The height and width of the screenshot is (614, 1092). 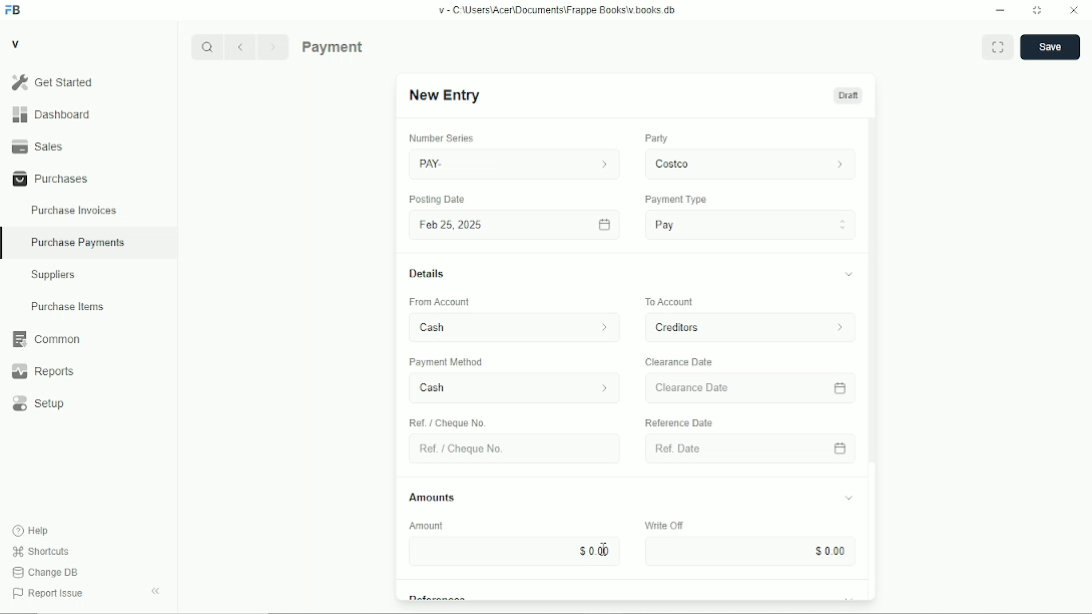 What do you see at coordinates (46, 573) in the screenshot?
I see `Change DB` at bounding box center [46, 573].